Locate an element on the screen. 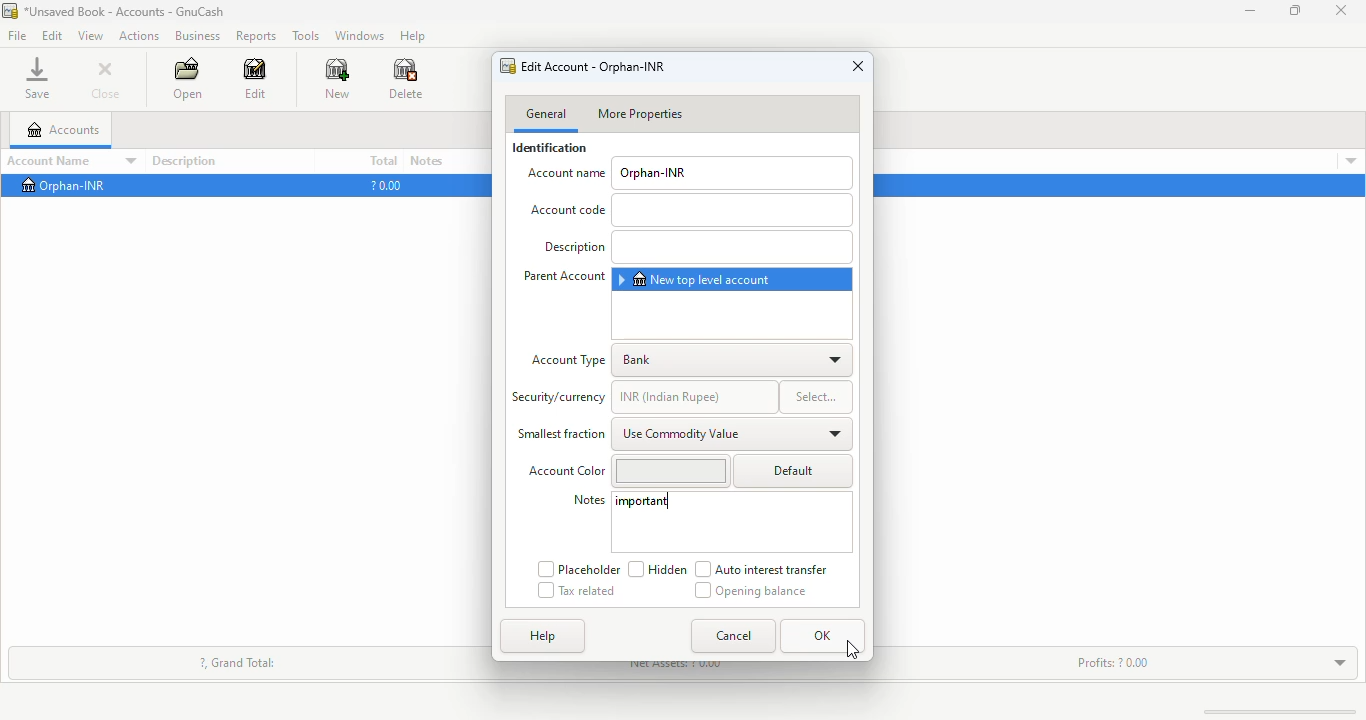 Image resolution: width=1366 pixels, height=720 pixels. profits: ? 0.00 is located at coordinates (1113, 662).